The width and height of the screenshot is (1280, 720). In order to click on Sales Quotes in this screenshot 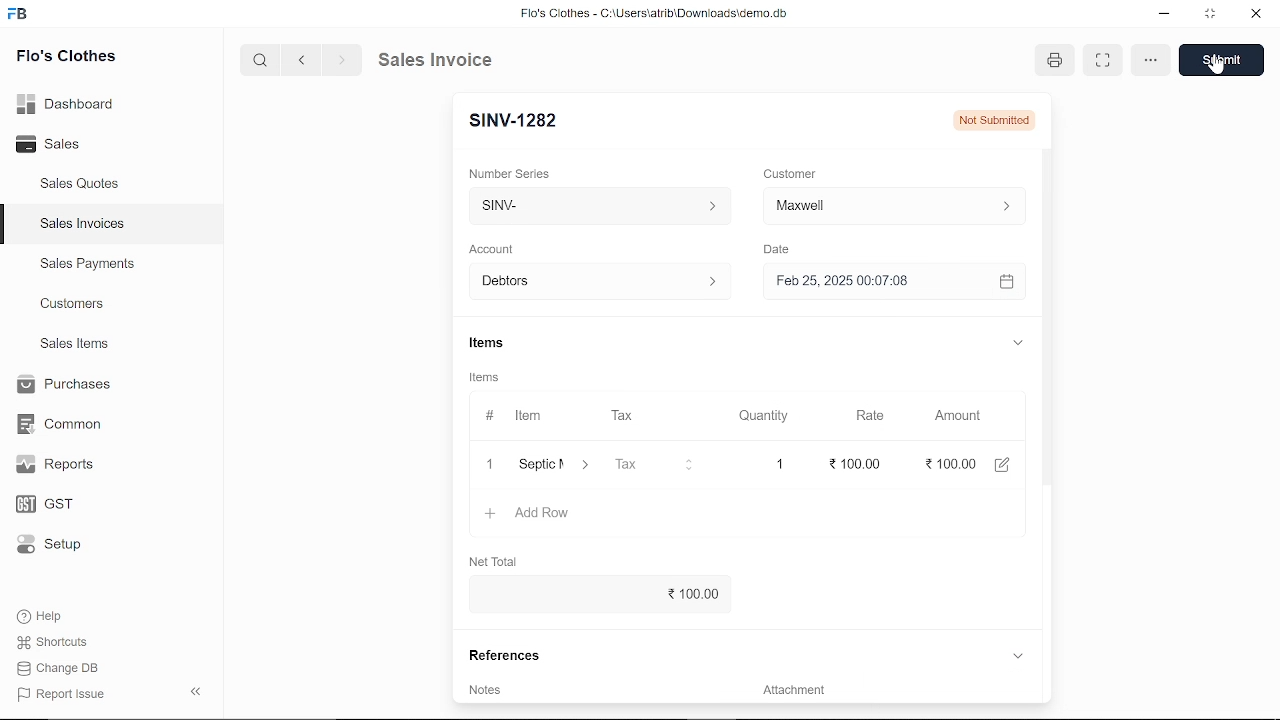, I will do `click(82, 186)`.